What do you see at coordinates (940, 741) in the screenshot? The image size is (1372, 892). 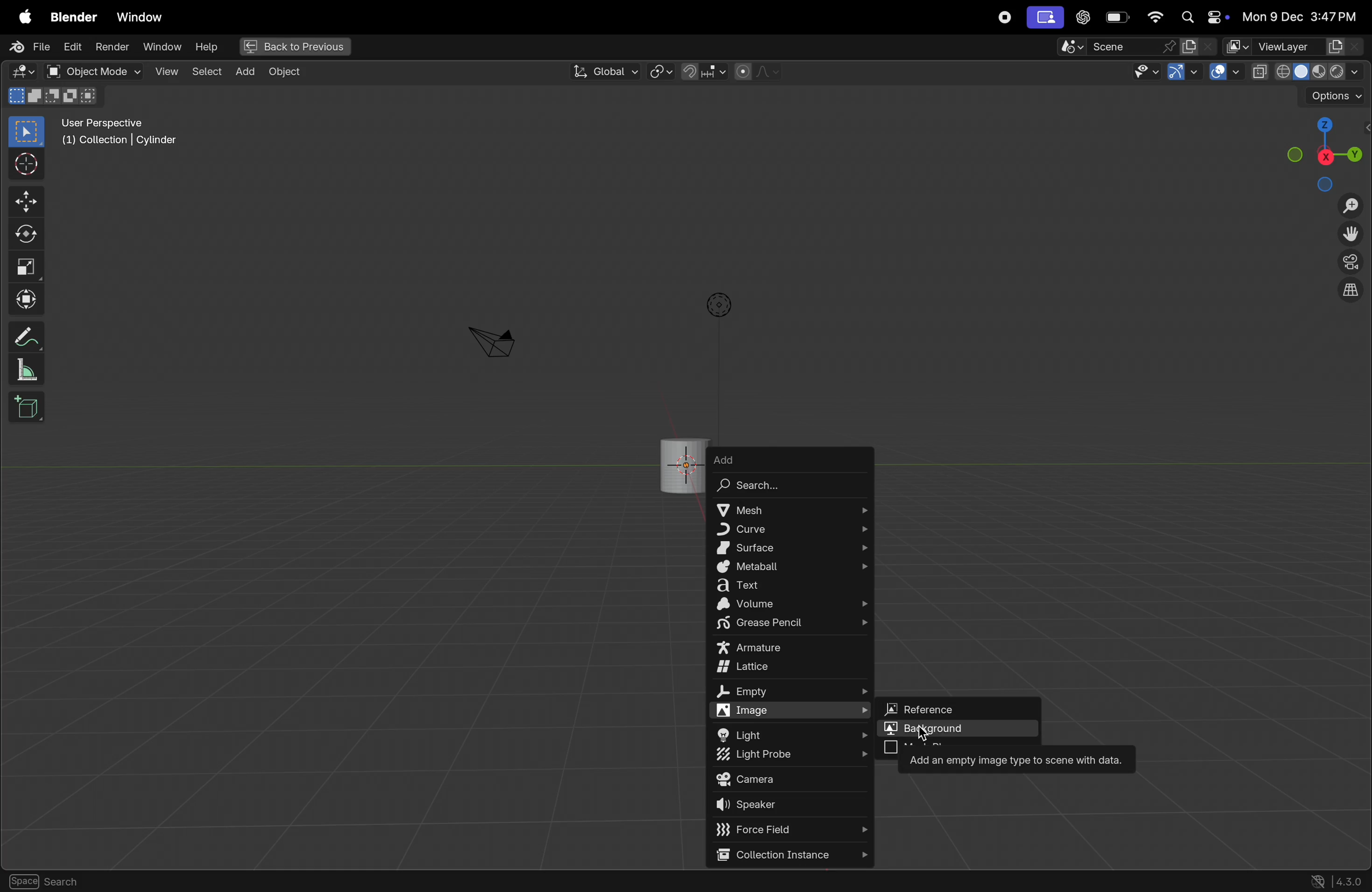 I see `cursor` at bounding box center [940, 741].